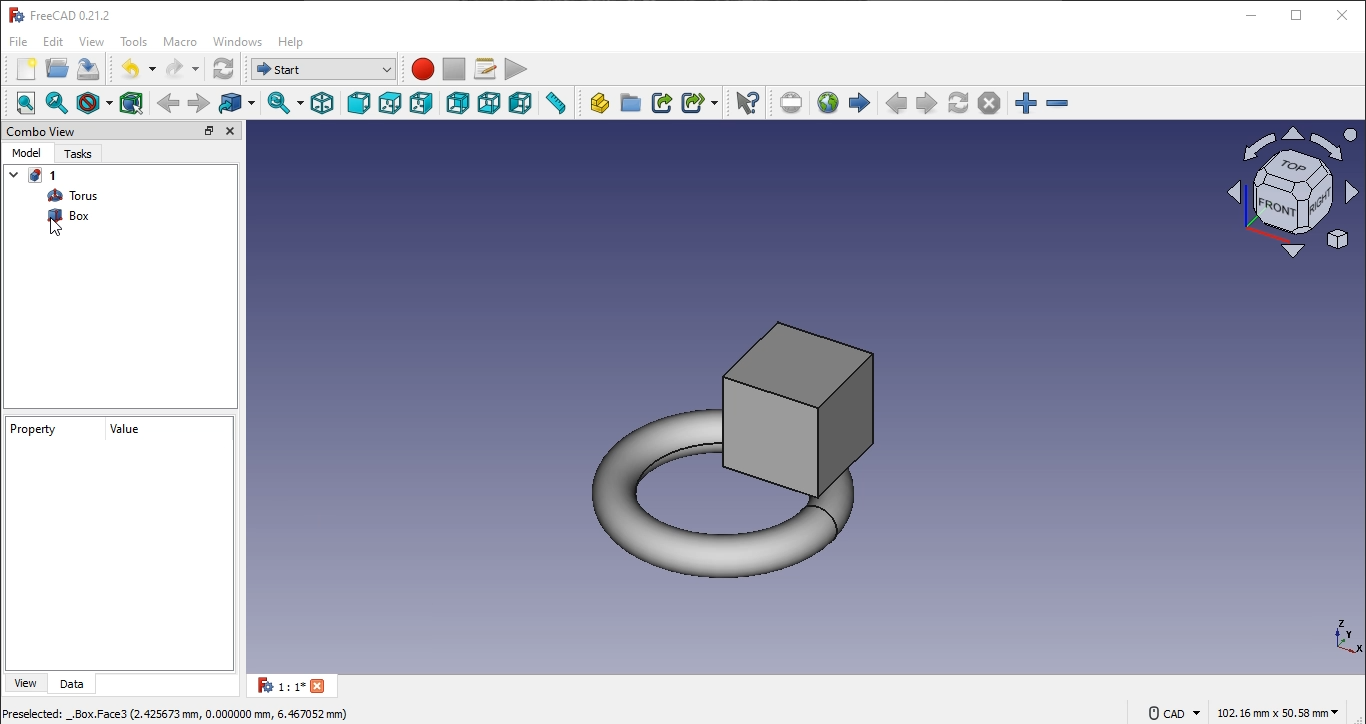 The image size is (1366, 724). Describe the element at coordinates (453, 70) in the screenshot. I see `stop macro recording` at that location.